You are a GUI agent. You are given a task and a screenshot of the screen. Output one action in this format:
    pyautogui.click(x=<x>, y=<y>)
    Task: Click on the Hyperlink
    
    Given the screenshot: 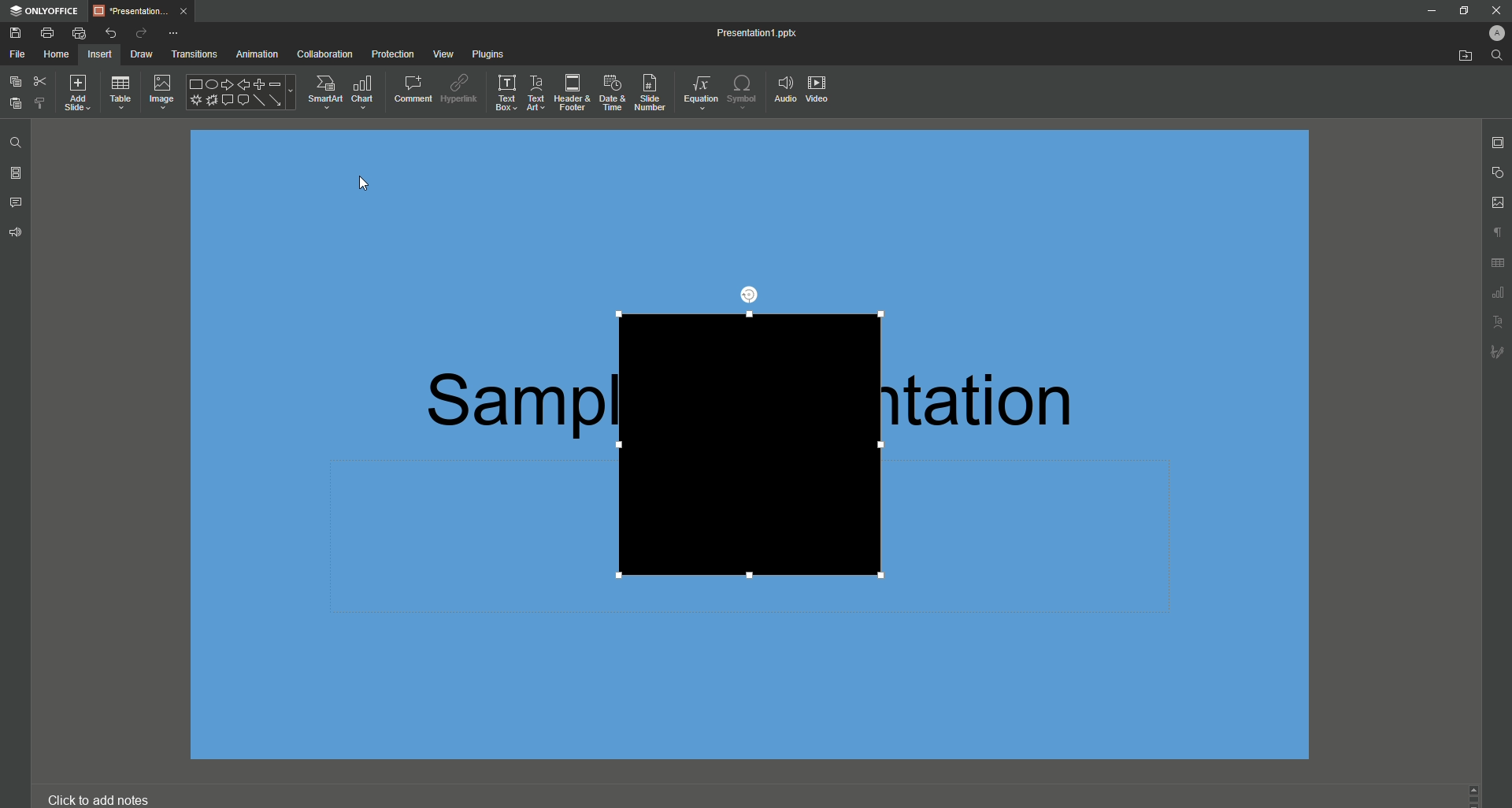 What is the action you would take?
    pyautogui.click(x=458, y=87)
    